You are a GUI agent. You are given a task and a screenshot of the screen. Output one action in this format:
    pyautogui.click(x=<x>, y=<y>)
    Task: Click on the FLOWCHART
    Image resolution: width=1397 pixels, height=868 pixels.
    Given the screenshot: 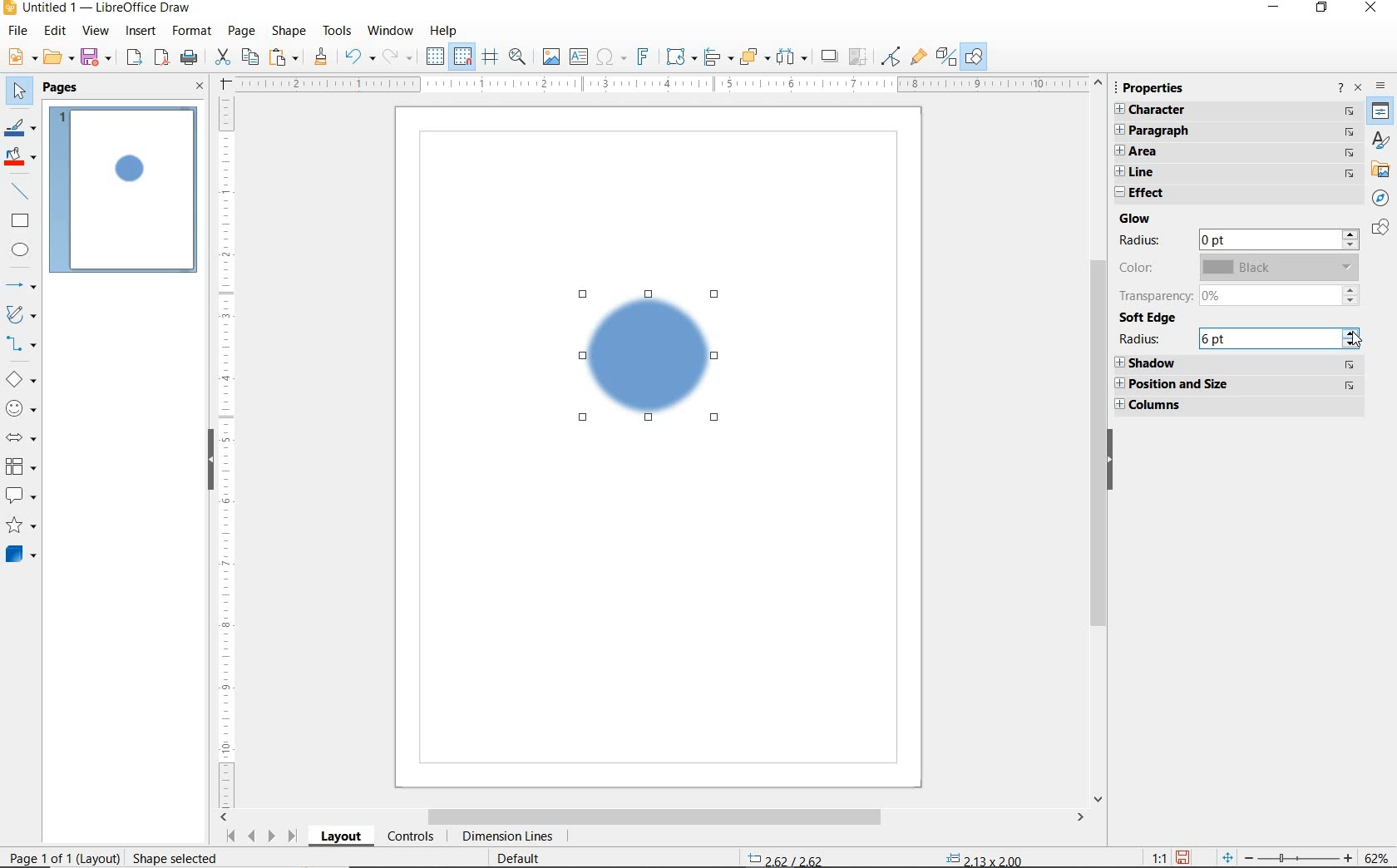 What is the action you would take?
    pyautogui.click(x=20, y=467)
    